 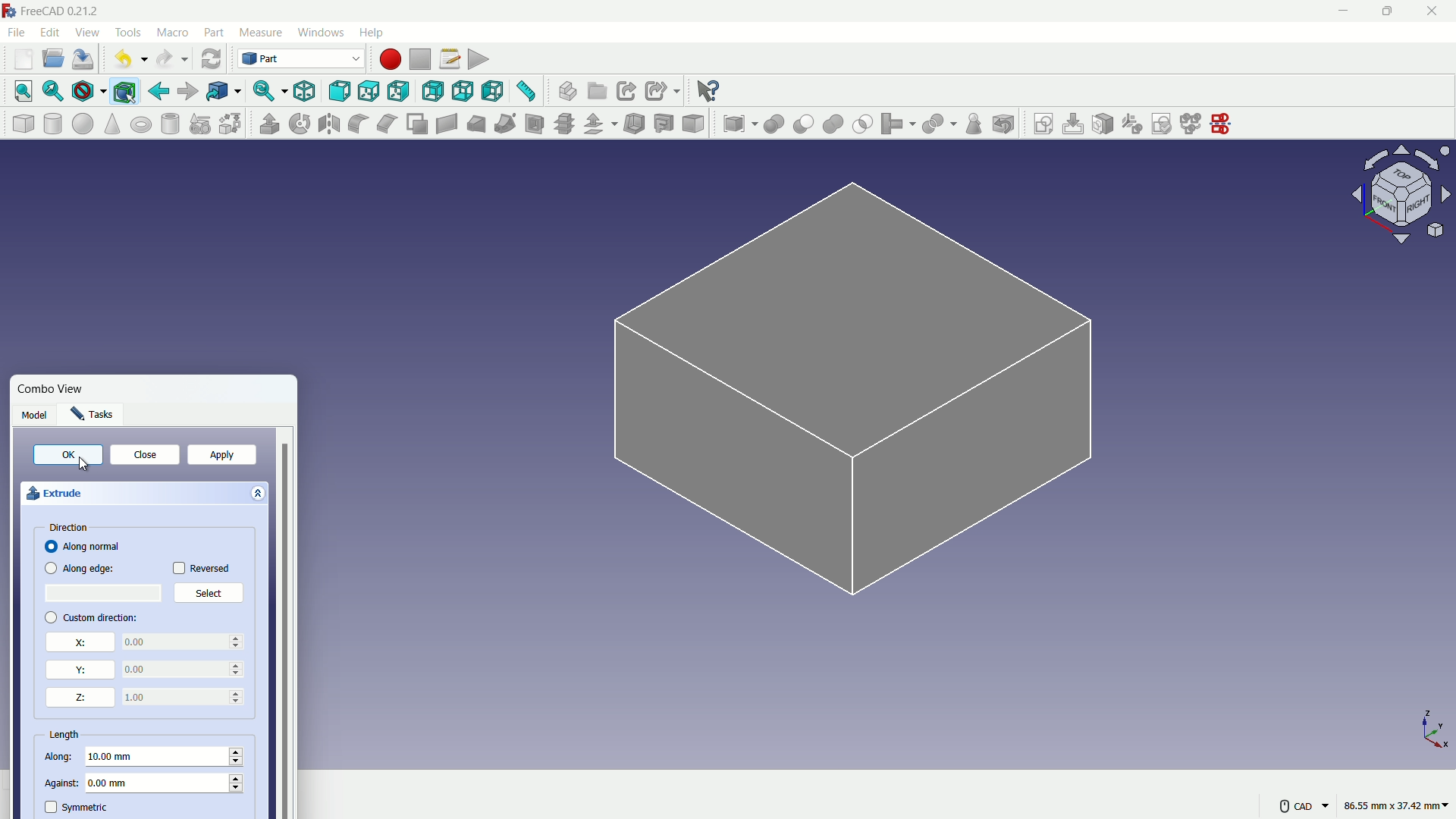 What do you see at coordinates (185, 698) in the screenshot?
I see `0.00` at bounding box center [185, 698].